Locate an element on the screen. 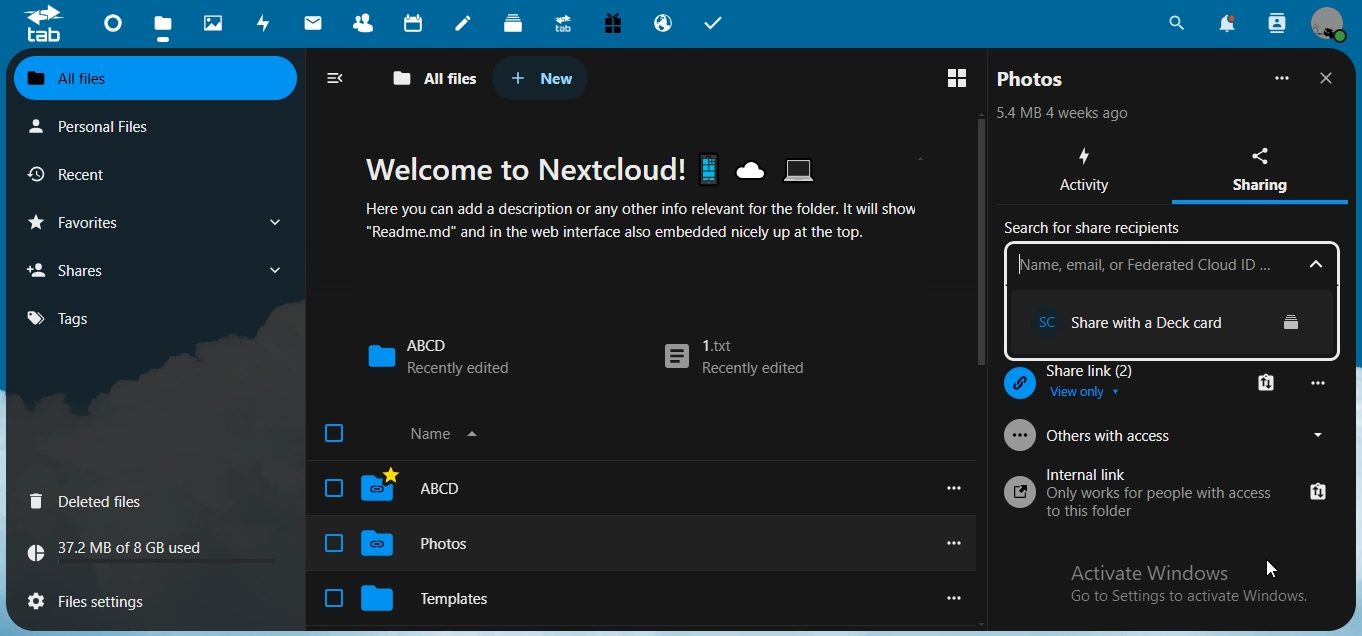  personal files is located at coordinates (106, 125).